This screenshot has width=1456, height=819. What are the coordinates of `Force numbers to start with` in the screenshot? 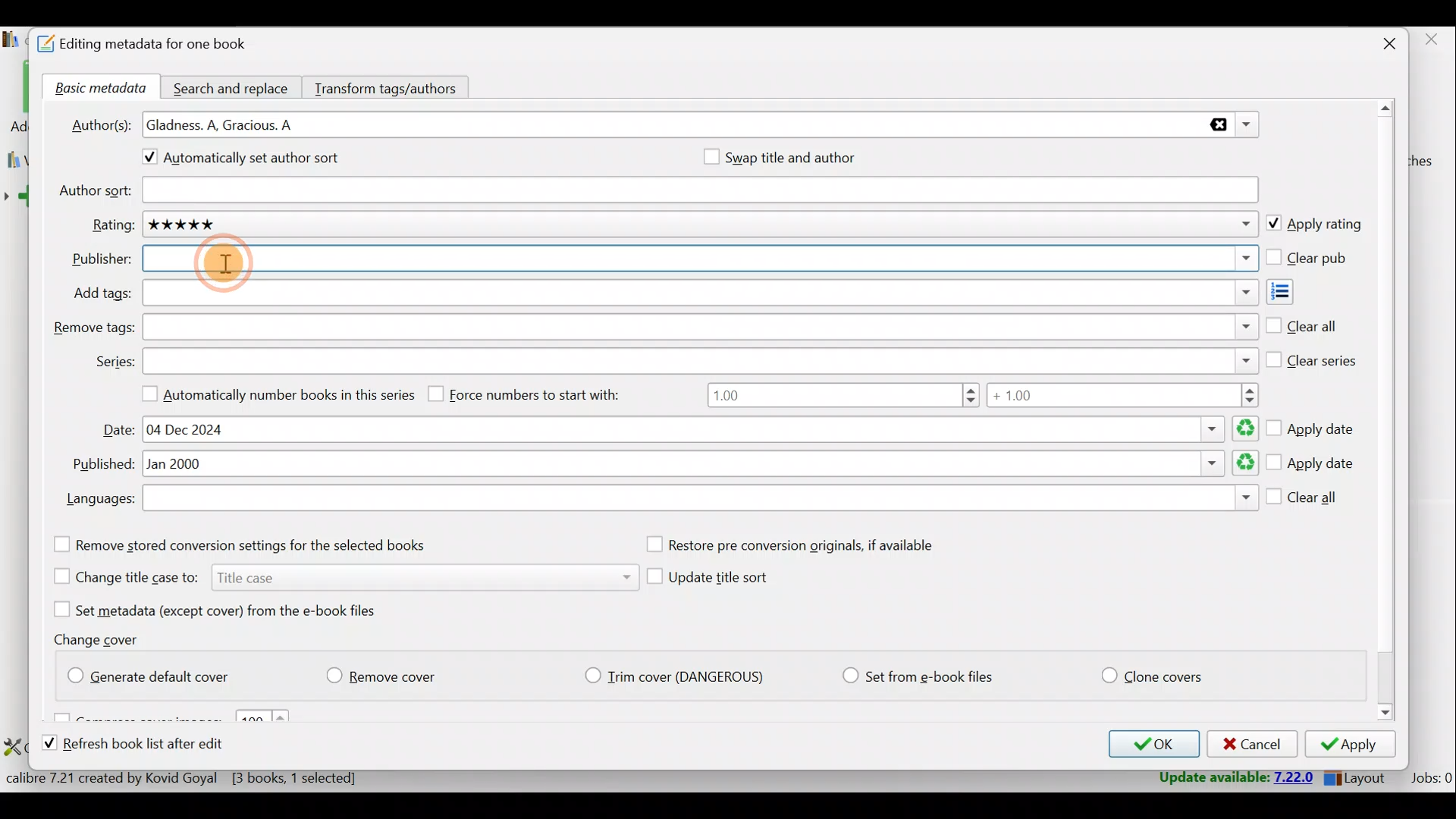 It's located at (535, 394).